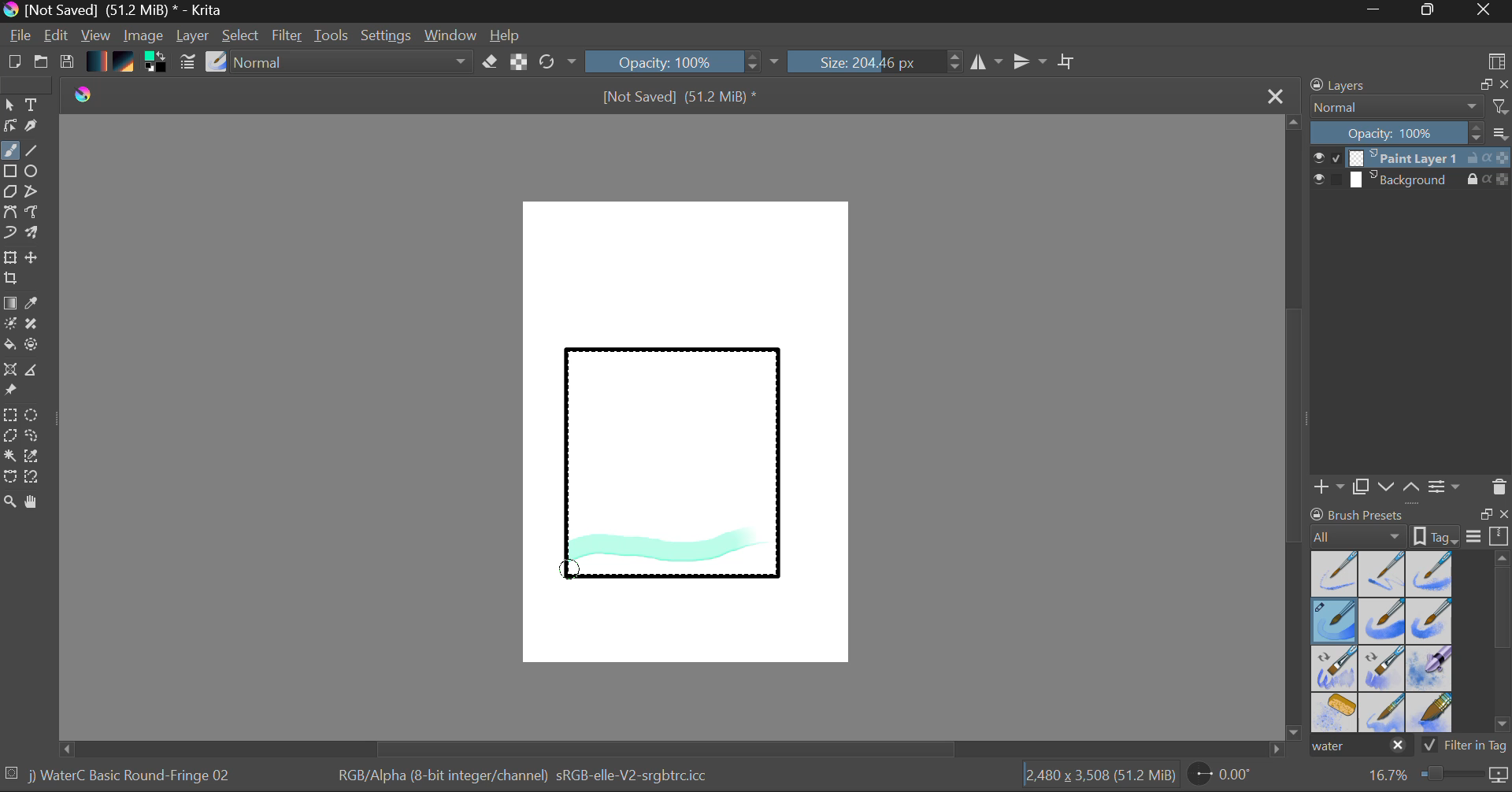 The height and width of the screenshot is (792, 1512). Describe the element at coordinates (1445, 486) in the screenshot. I see `Layer Settings` at that location.